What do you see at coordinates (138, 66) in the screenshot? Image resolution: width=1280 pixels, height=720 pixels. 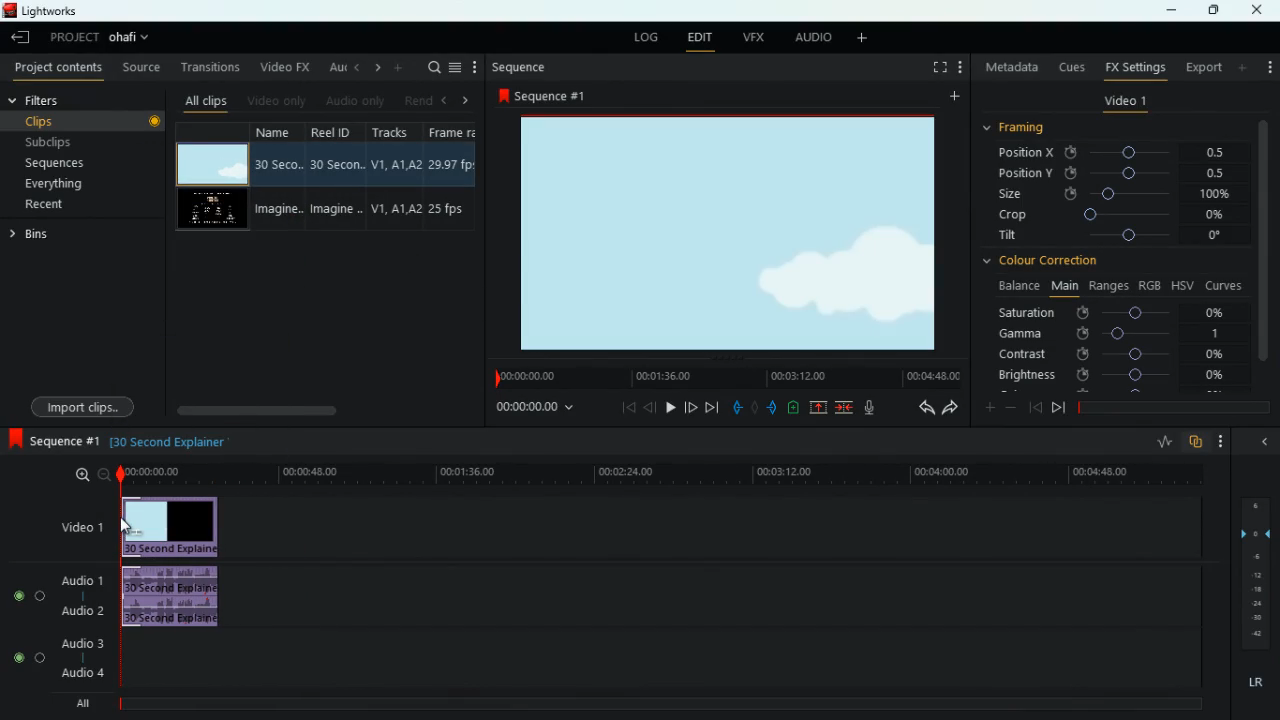 I see `source` at bounding box center [138, 66].